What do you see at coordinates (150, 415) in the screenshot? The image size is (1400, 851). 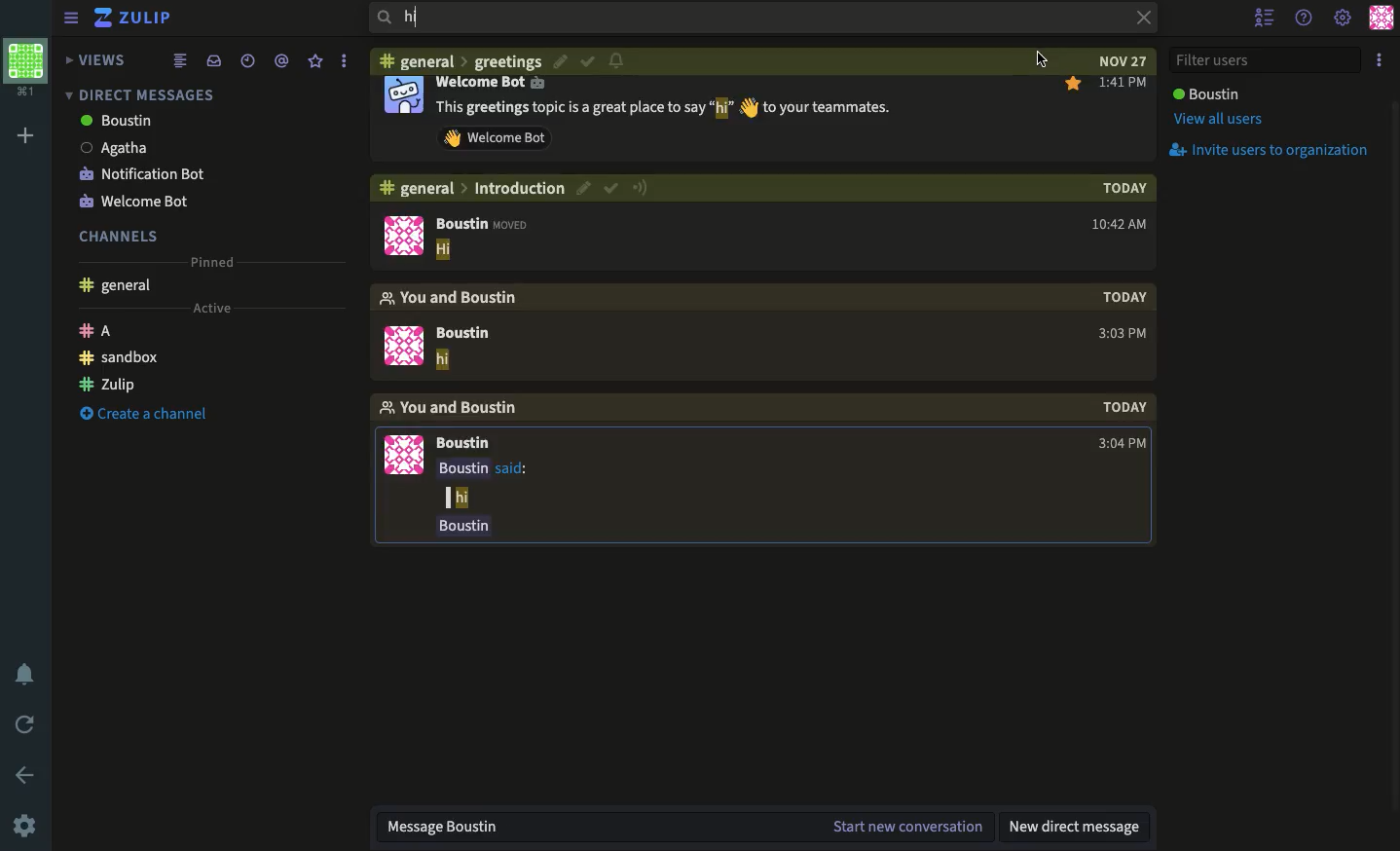 I see `Create a channe` at bounding box center [150, 415].